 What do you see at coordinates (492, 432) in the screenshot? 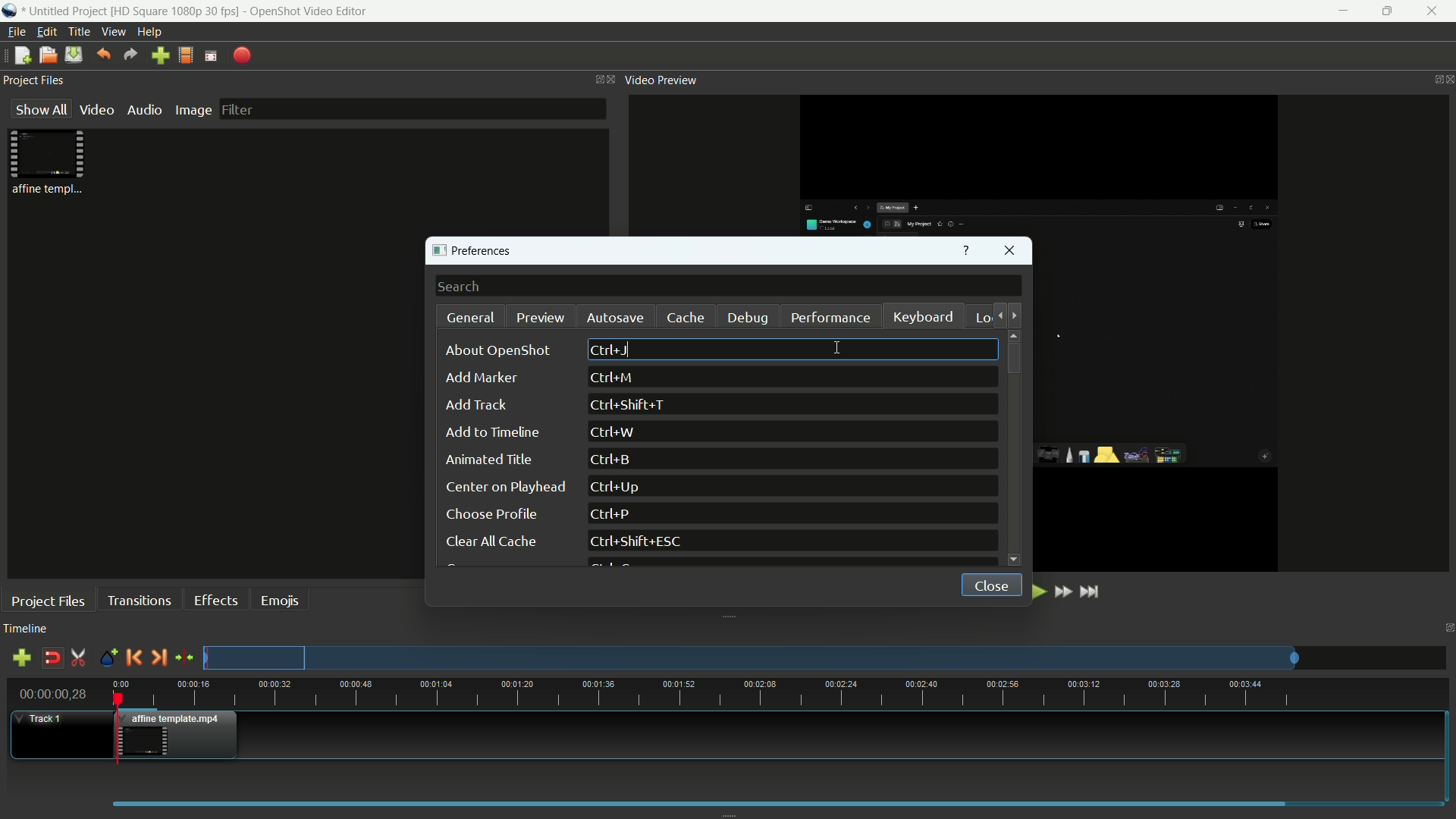
I see `add to timeline` at bounding box center [492, 432].